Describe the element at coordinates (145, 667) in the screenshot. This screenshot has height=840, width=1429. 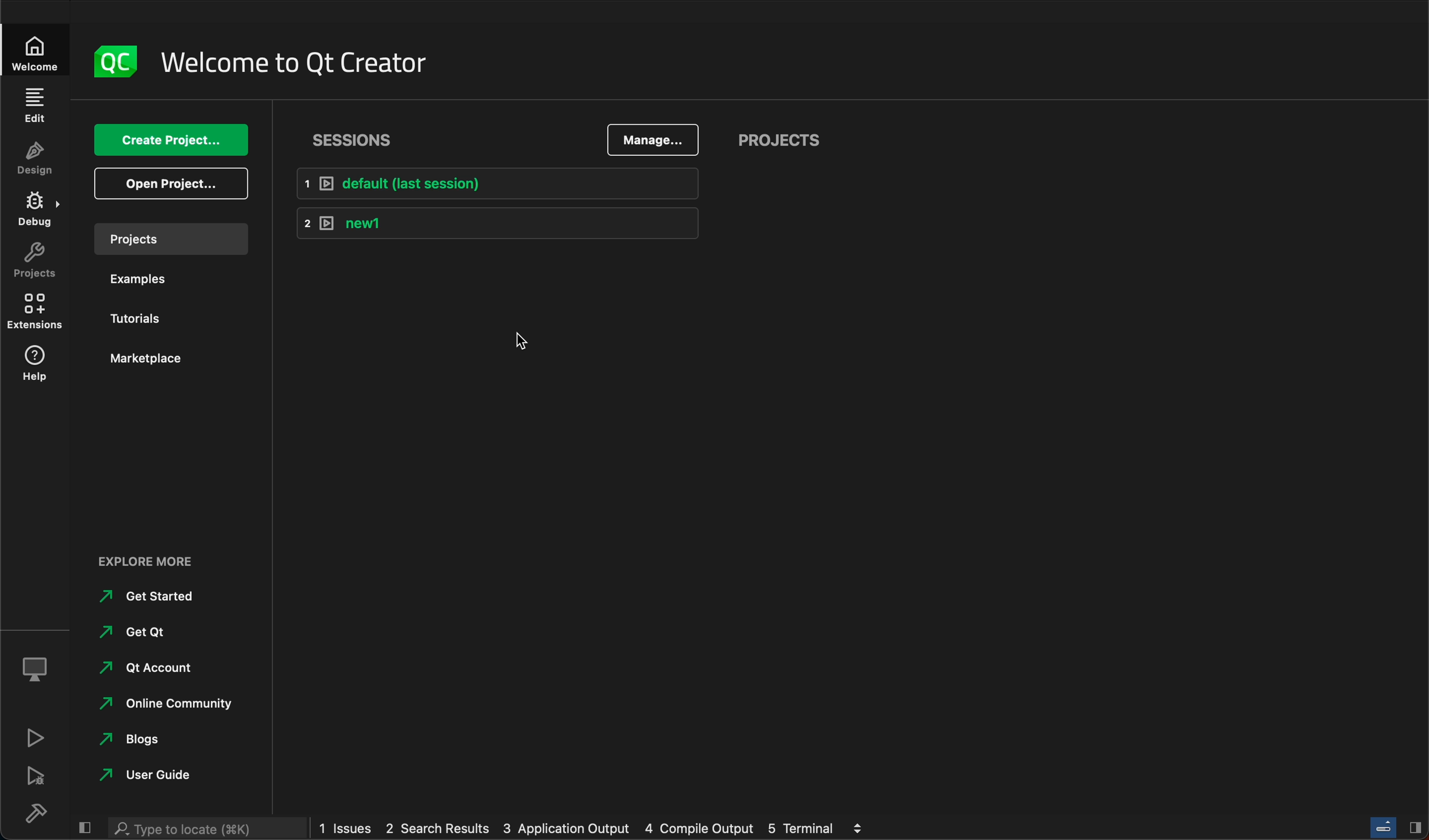
I see `qt` at that location.